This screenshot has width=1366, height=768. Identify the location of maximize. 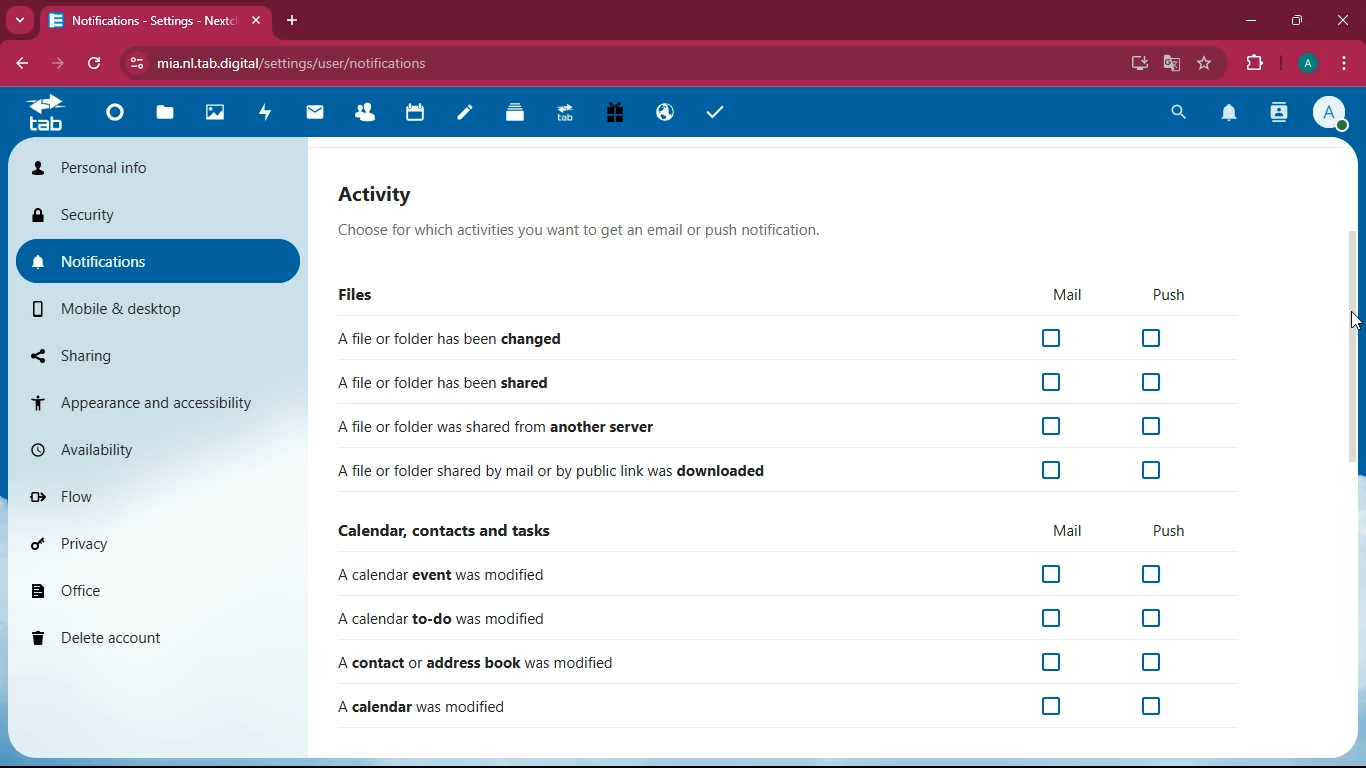
(1295, 22).